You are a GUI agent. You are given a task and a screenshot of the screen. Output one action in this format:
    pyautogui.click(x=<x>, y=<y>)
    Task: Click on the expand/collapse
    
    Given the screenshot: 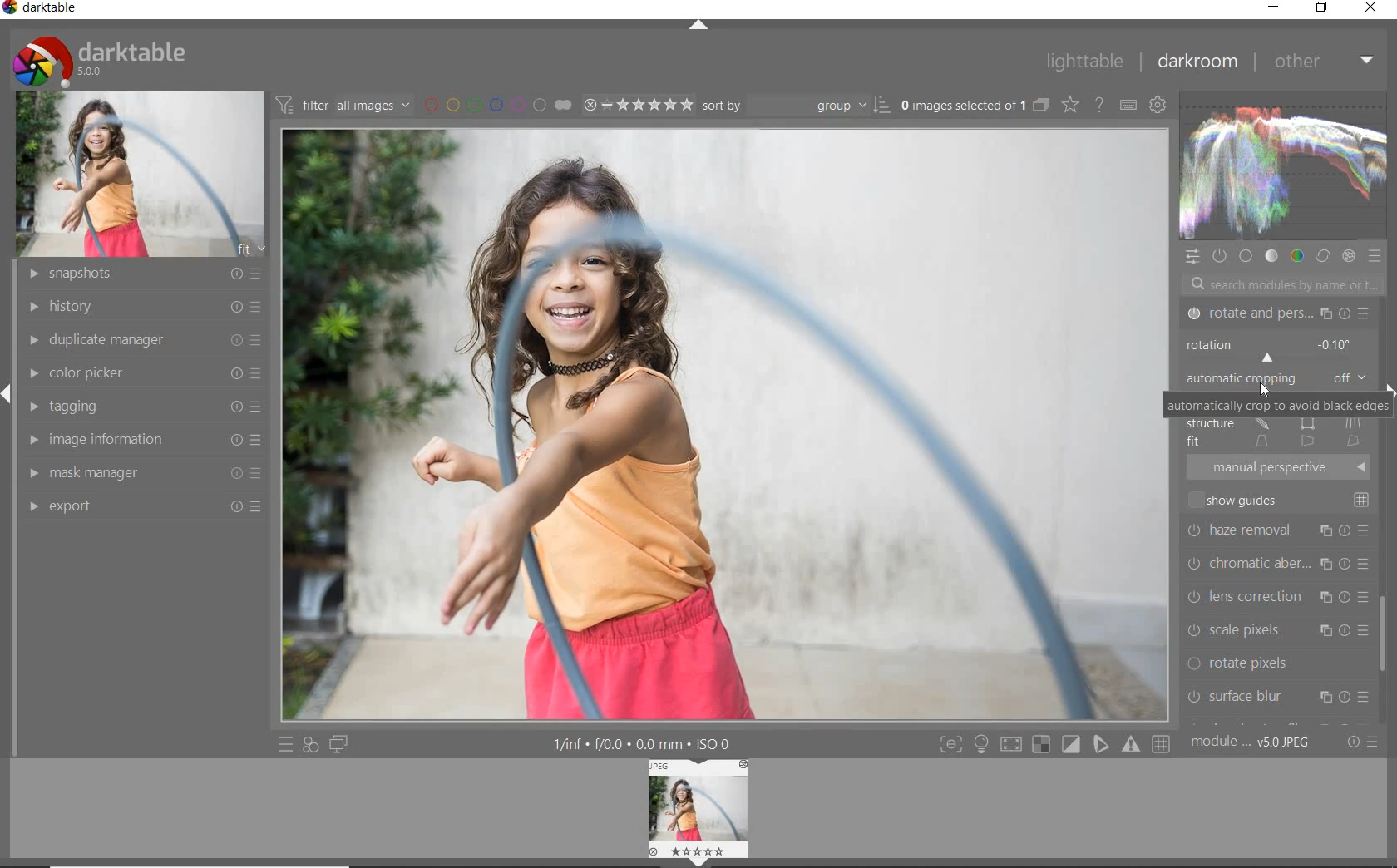 What is the action you would take?
    pyautogui.click(x=697, y=27)
    